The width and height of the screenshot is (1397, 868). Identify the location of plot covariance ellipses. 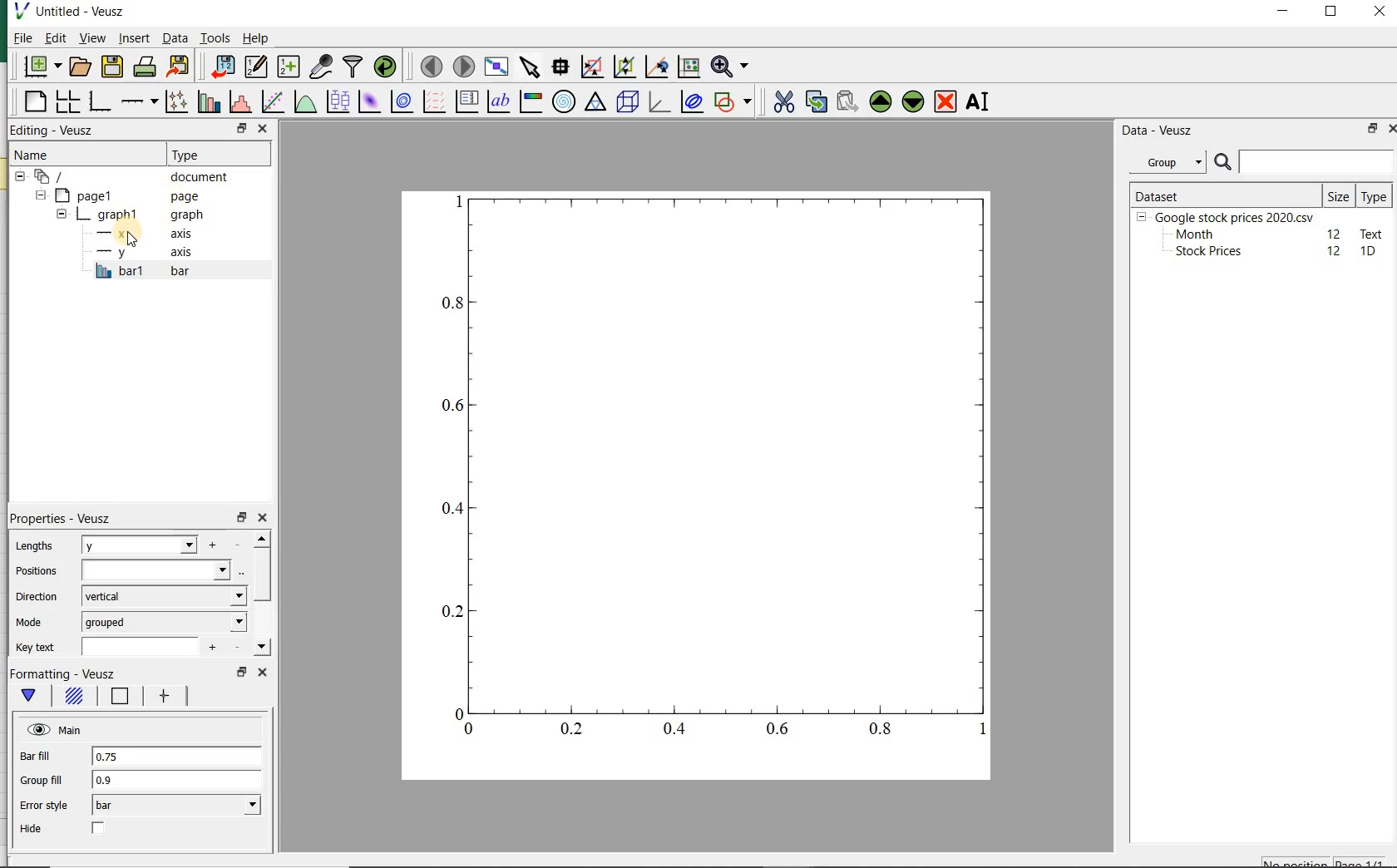
(692, 102).